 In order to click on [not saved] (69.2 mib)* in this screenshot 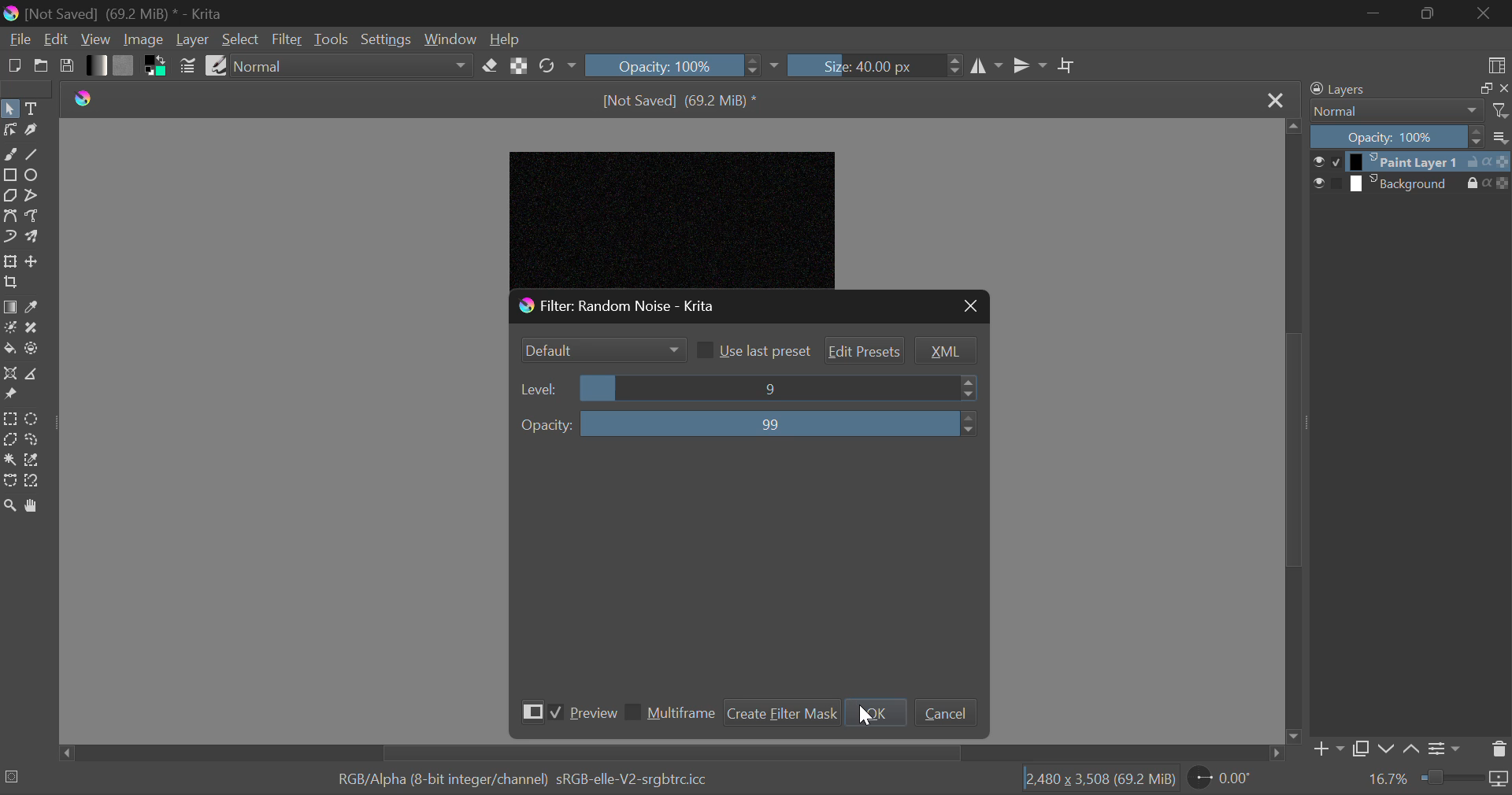, I will do `click(684, 99)`.